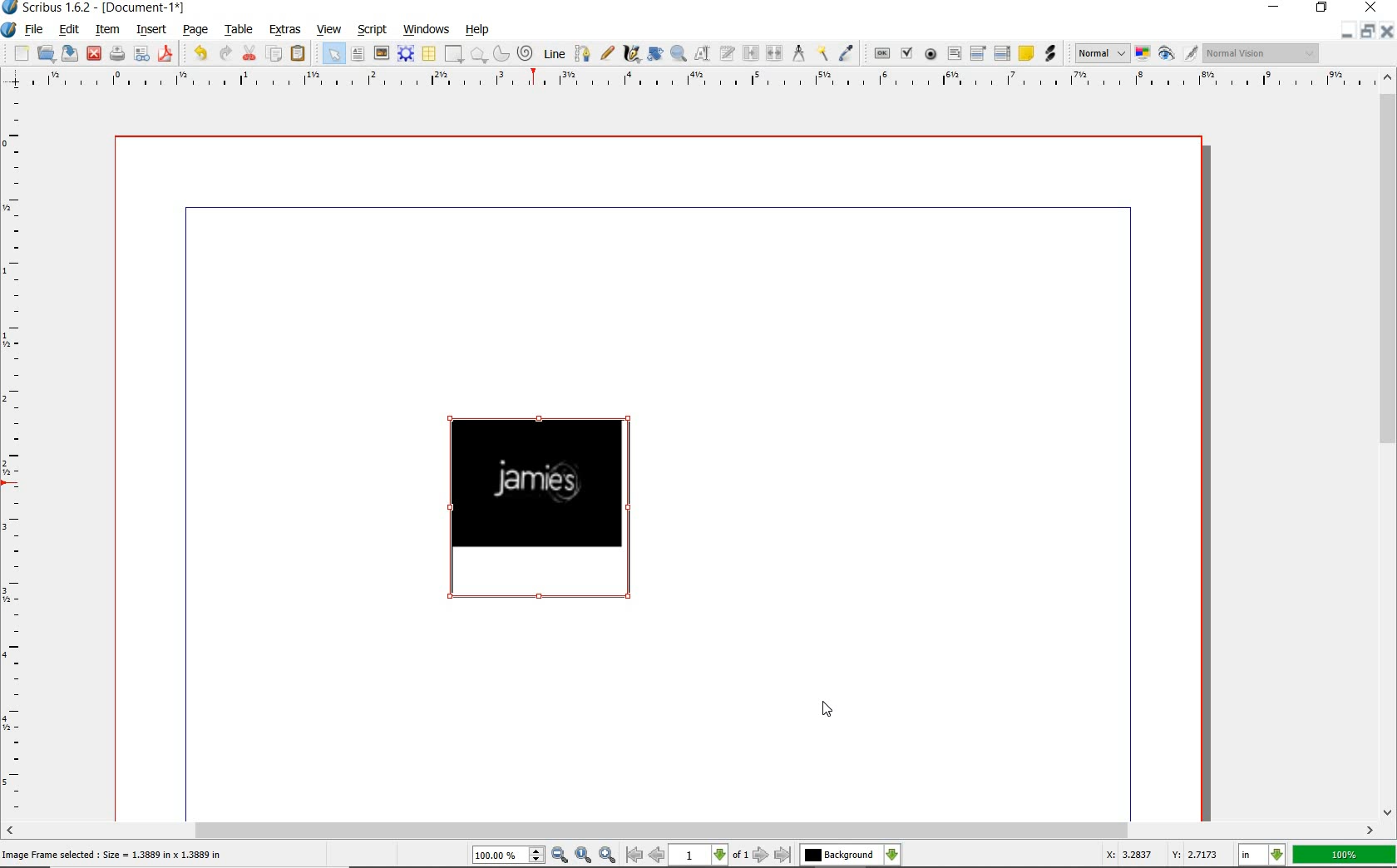 The width and height of the screenshot is (1397, 868). What do you see at coordinates (850, 856) in the screenshot?
I see `select the current layer` at bounding box center [850, 856].